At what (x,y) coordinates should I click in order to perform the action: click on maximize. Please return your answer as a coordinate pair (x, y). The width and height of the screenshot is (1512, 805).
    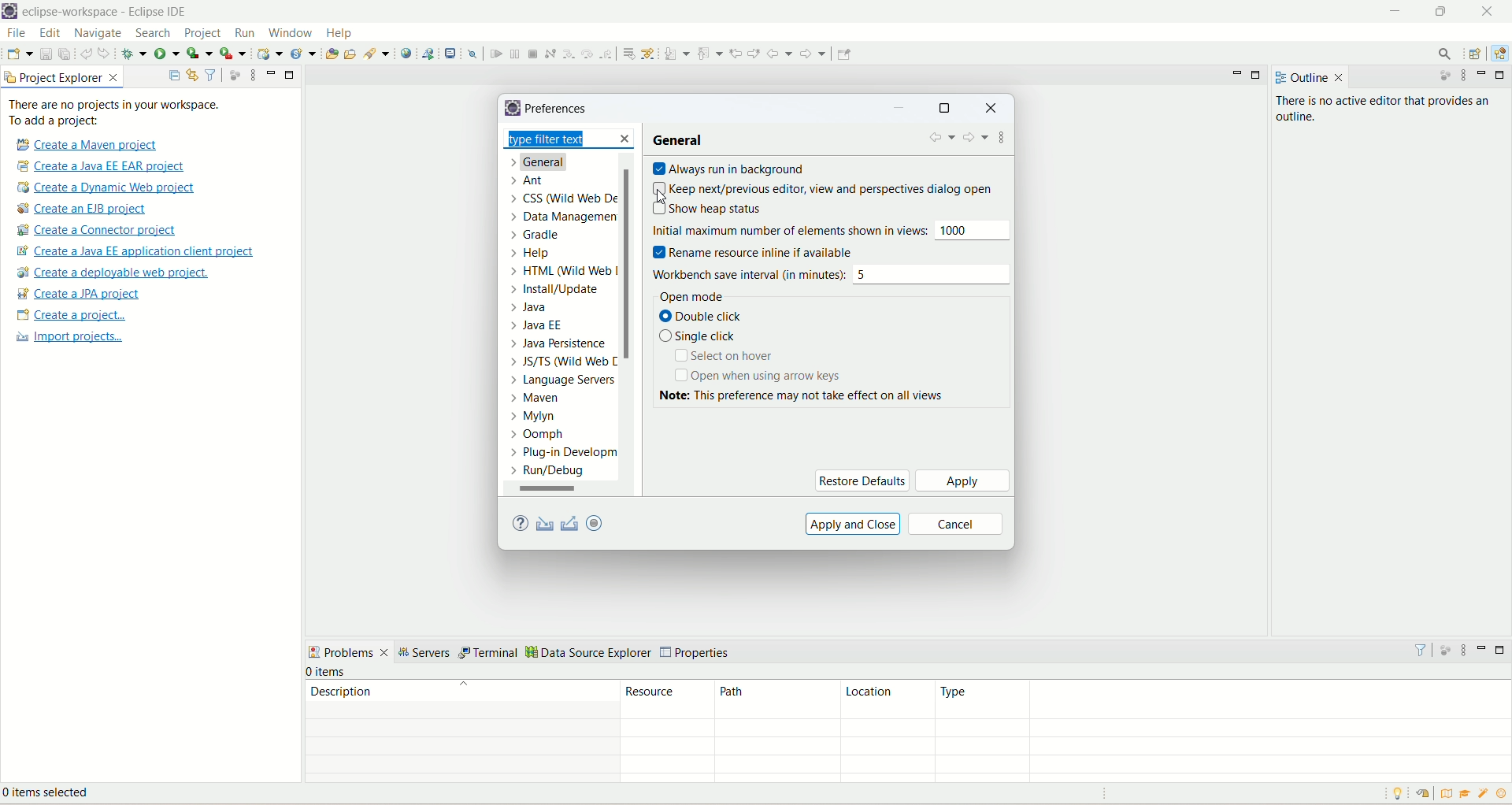
    Looking at the image, I should click on (1501, 75).